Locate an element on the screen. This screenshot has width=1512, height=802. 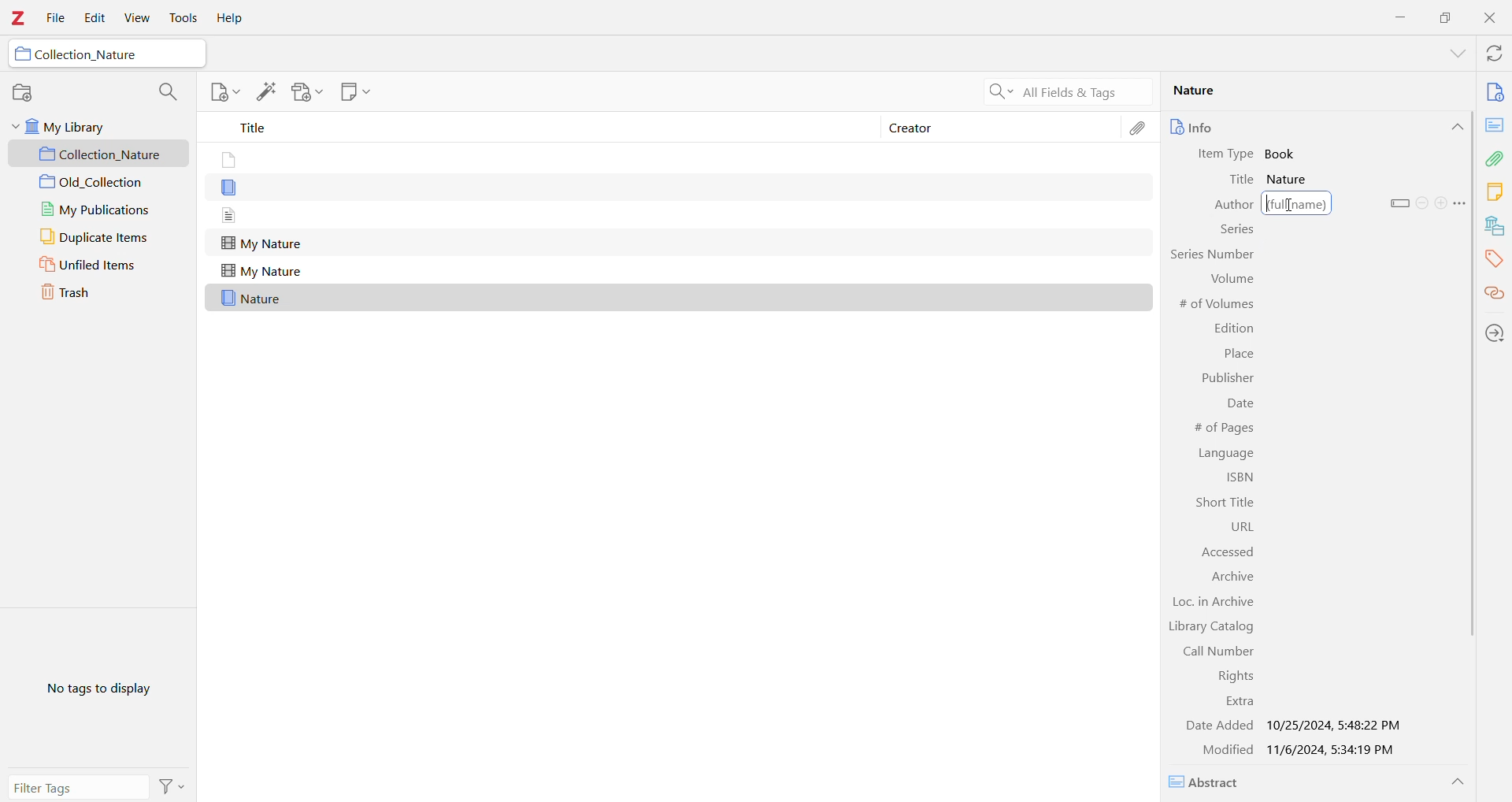
Short Title is located at coordinates (1221, 503).